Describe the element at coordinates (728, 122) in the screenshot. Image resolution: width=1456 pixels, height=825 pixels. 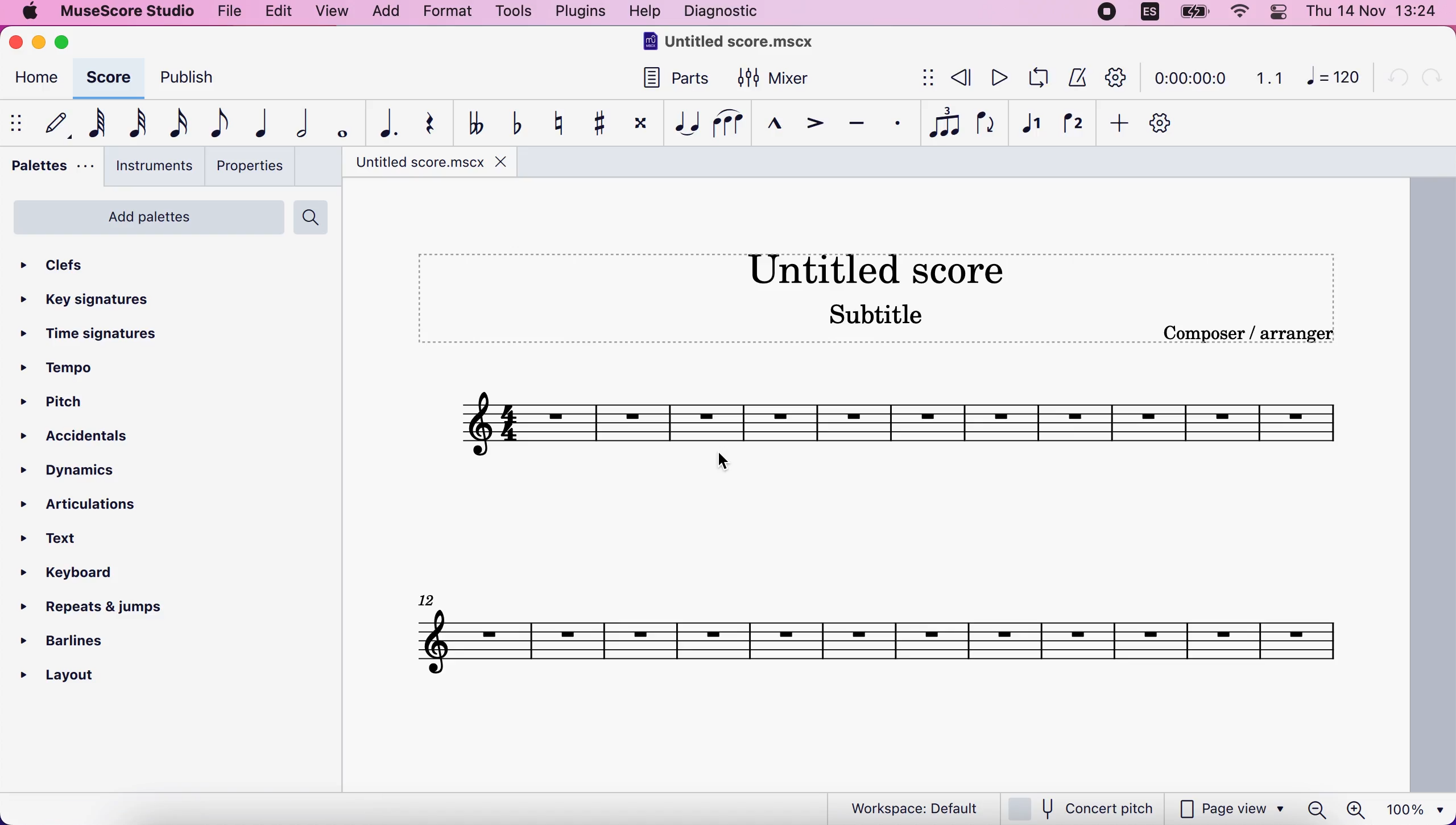
I see `slur` at that location.